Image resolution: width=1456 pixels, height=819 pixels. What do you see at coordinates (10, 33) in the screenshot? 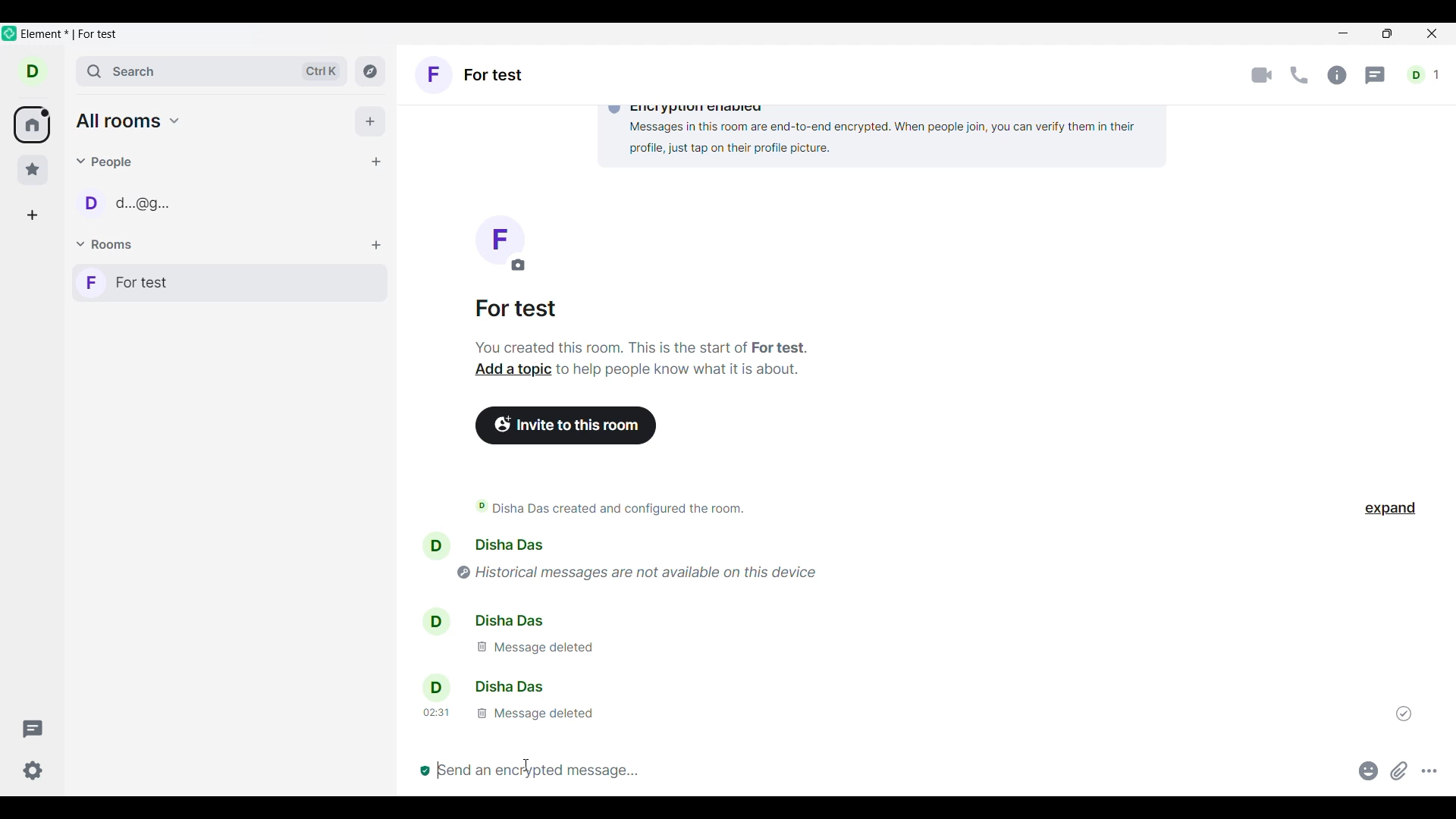
I see `Software logo` at bounding box center [10, 33].